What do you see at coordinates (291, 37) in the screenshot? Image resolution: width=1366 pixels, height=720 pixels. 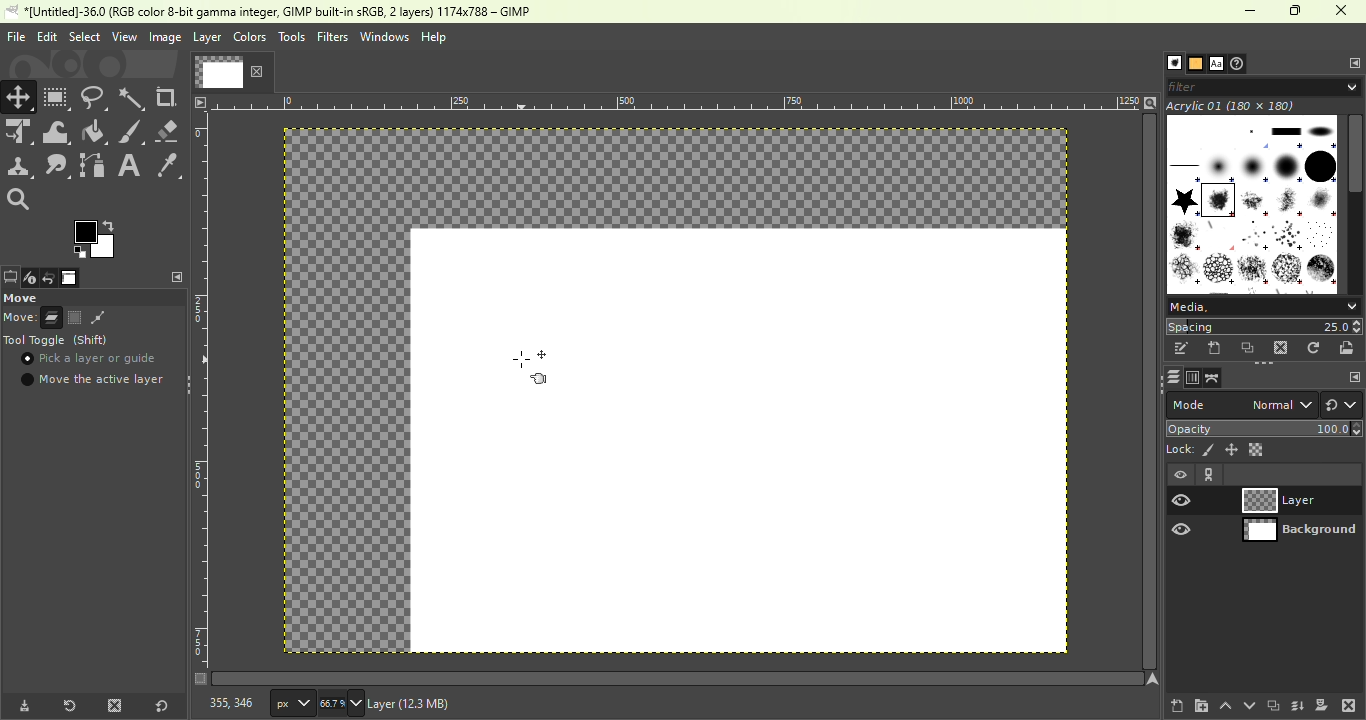 I see `Tools` at bounding box center [291, 37].